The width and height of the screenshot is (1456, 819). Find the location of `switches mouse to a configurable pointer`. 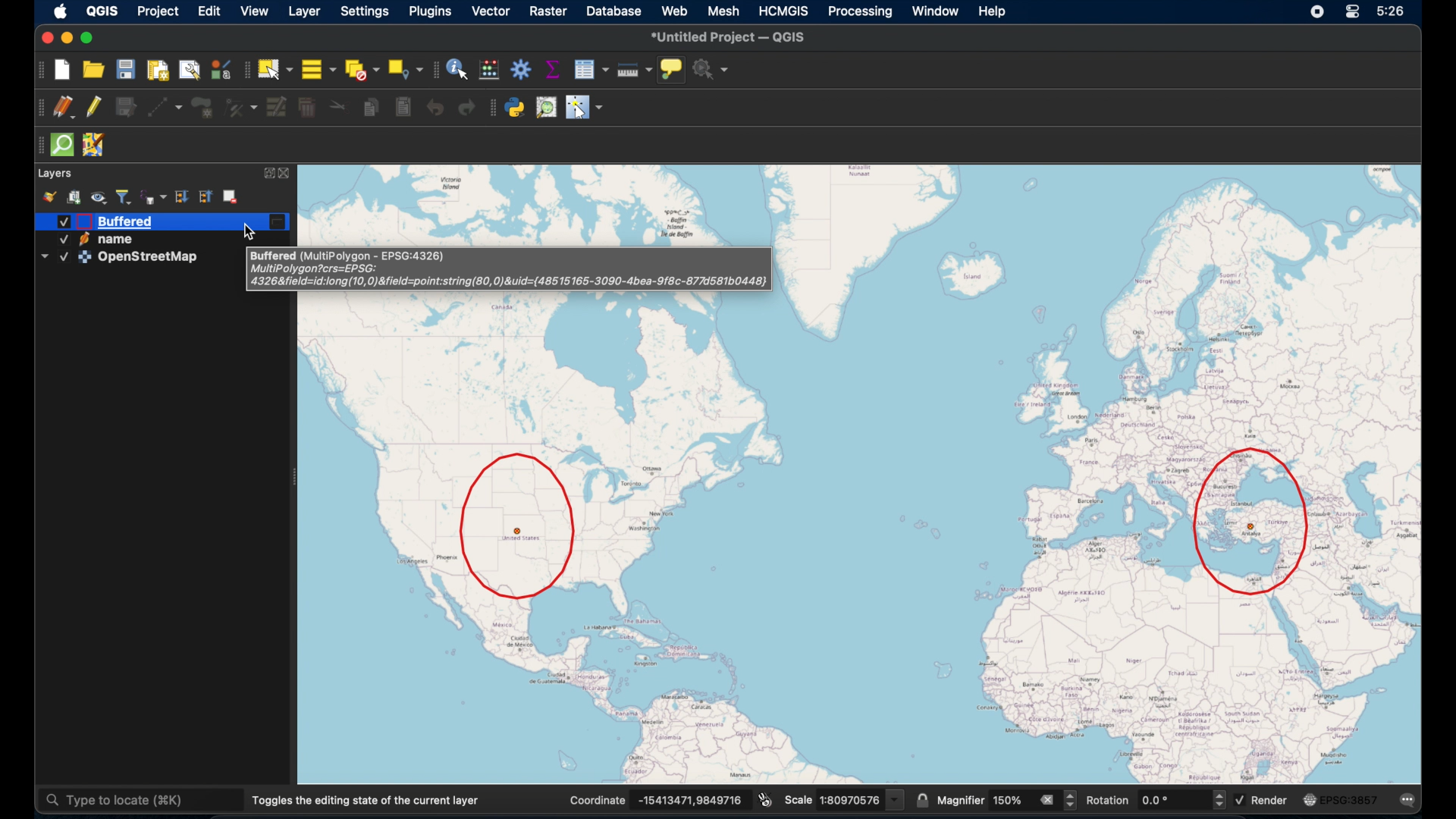

switches mouse to a configurable pointer is located at coordinates (585, 108).